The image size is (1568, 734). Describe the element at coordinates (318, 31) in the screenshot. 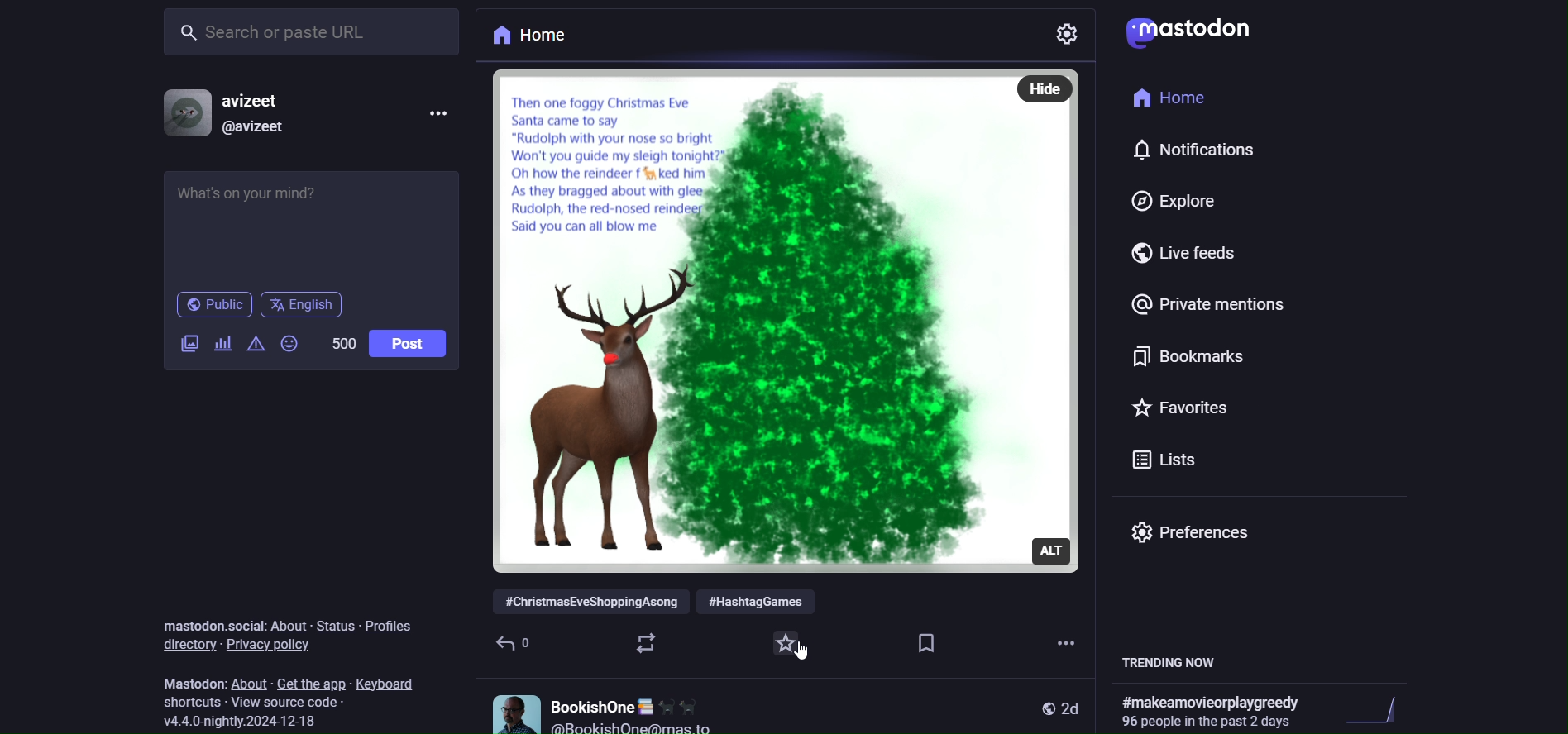

I see `search` at that location.